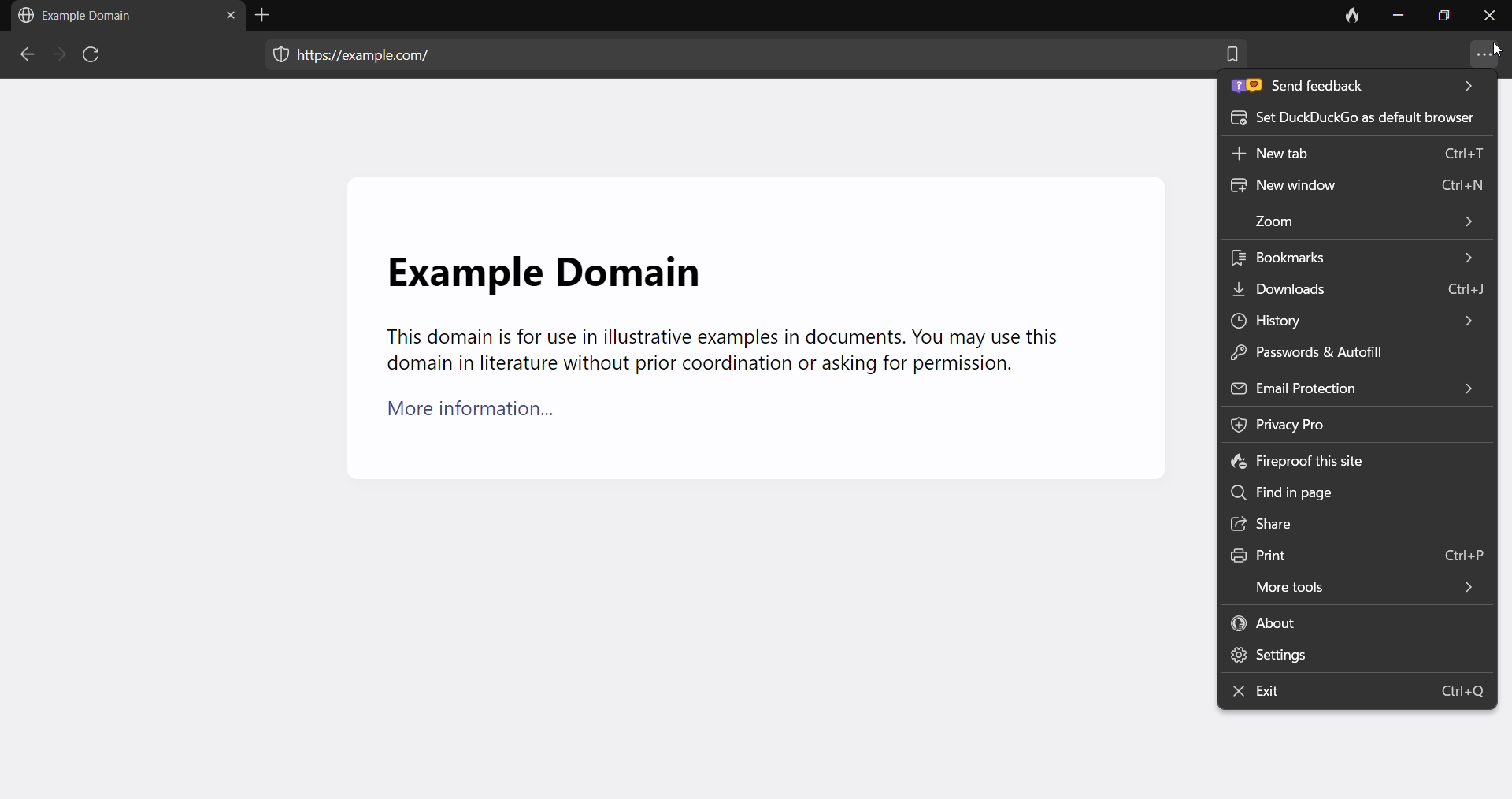 This screenshot has height=799, width=1512. Describe the element at coordinates (1339, 351) in the screenshot. I see `password and autofill` at that location.